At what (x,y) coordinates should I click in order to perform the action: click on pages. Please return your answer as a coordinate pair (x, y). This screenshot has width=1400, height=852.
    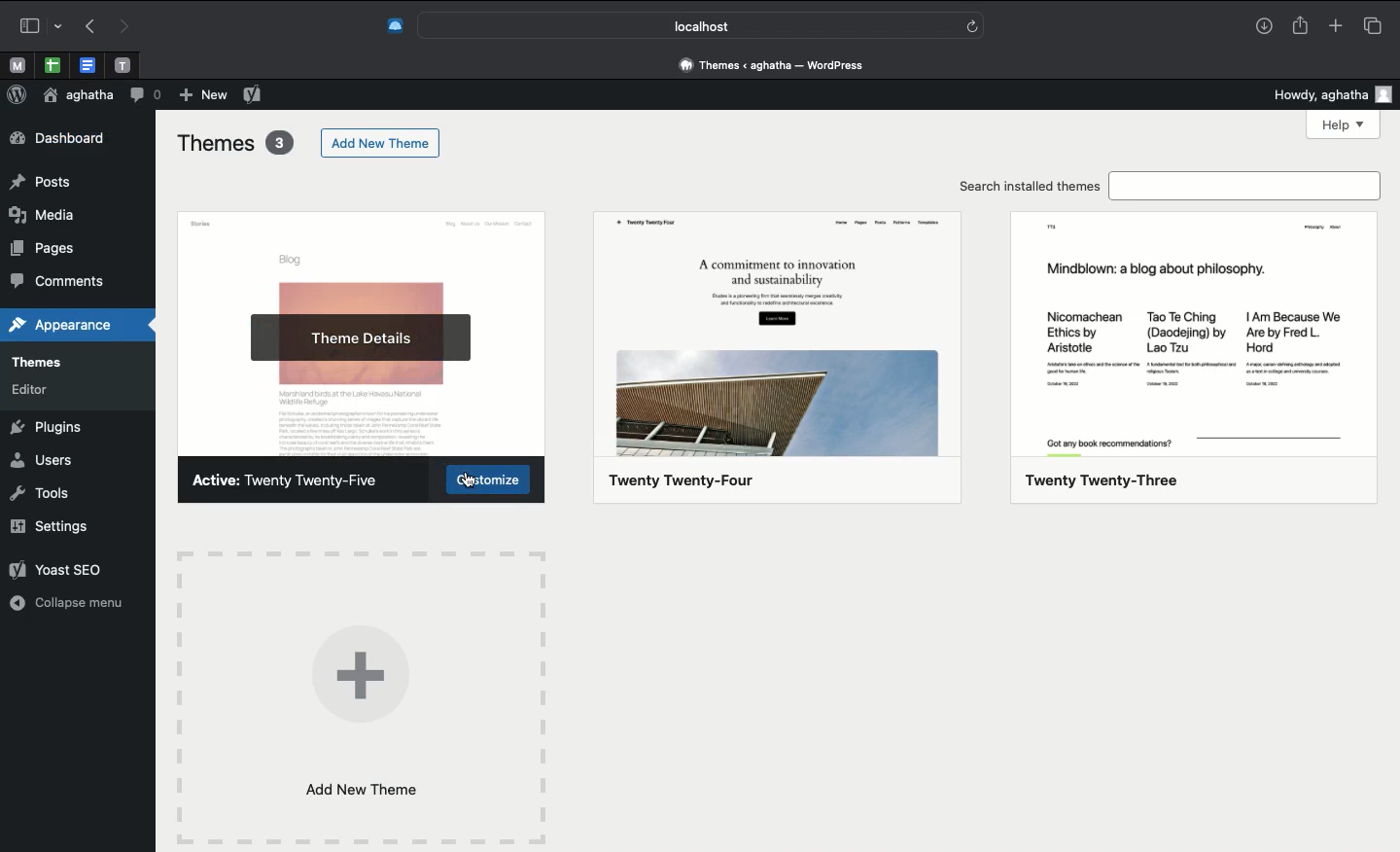
    Looking at the image, I should click on (45, 251).